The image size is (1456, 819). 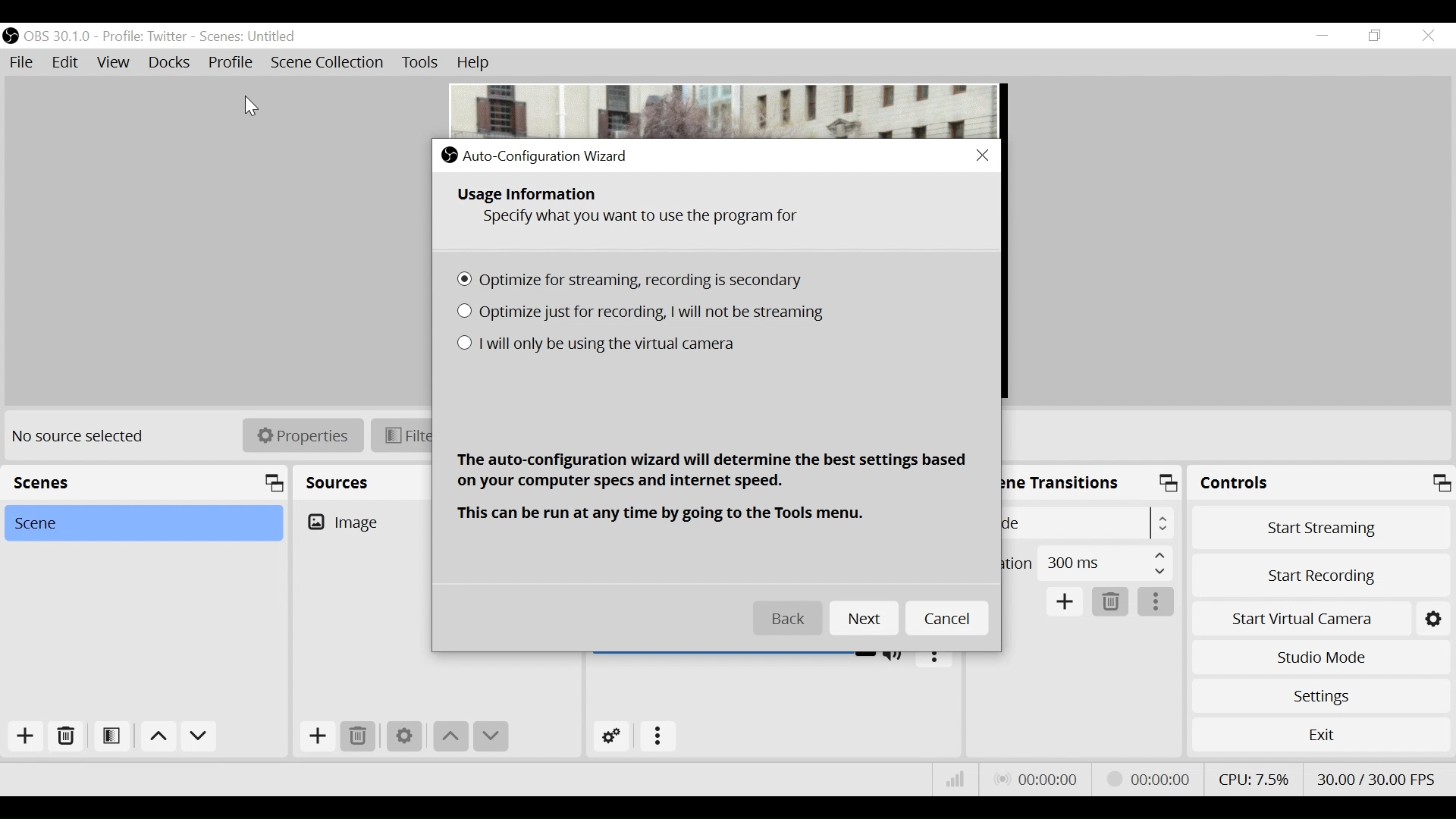 I want to click on Remove, so click(x=64, y=739).